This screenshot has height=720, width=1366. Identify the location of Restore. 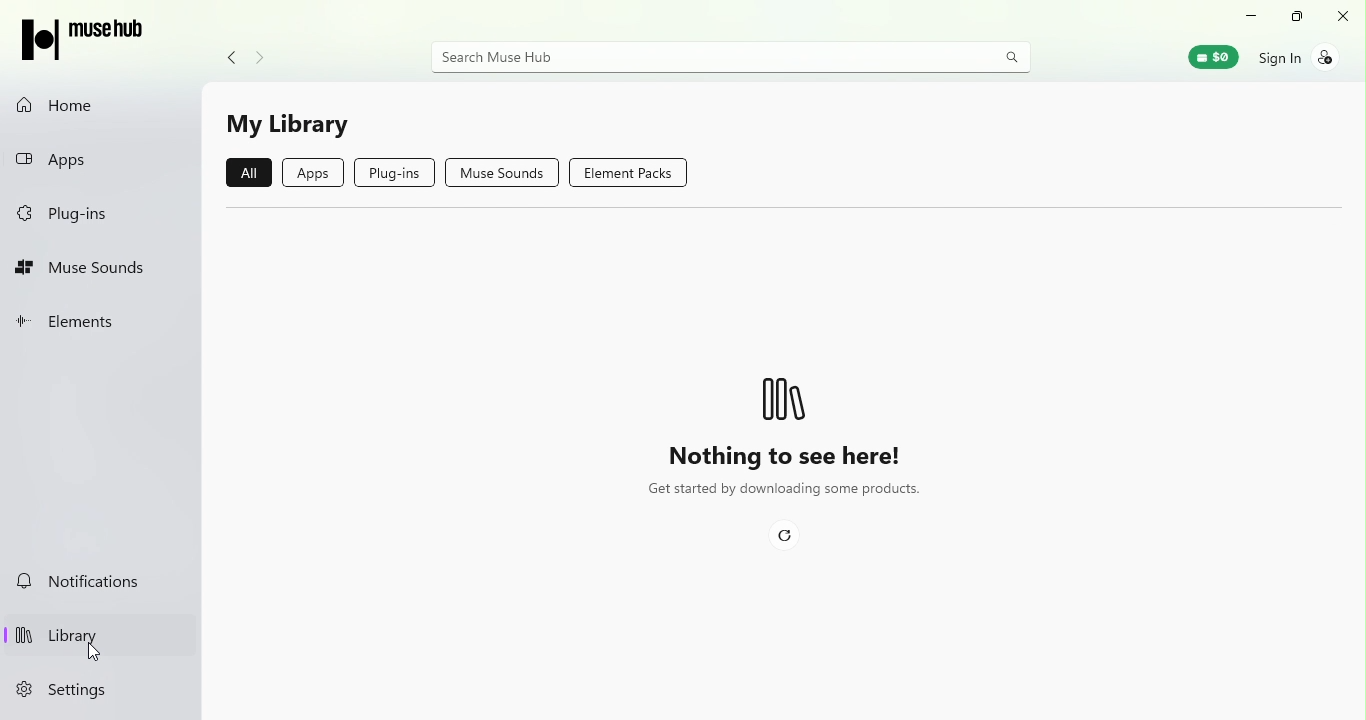
(1295, 20).